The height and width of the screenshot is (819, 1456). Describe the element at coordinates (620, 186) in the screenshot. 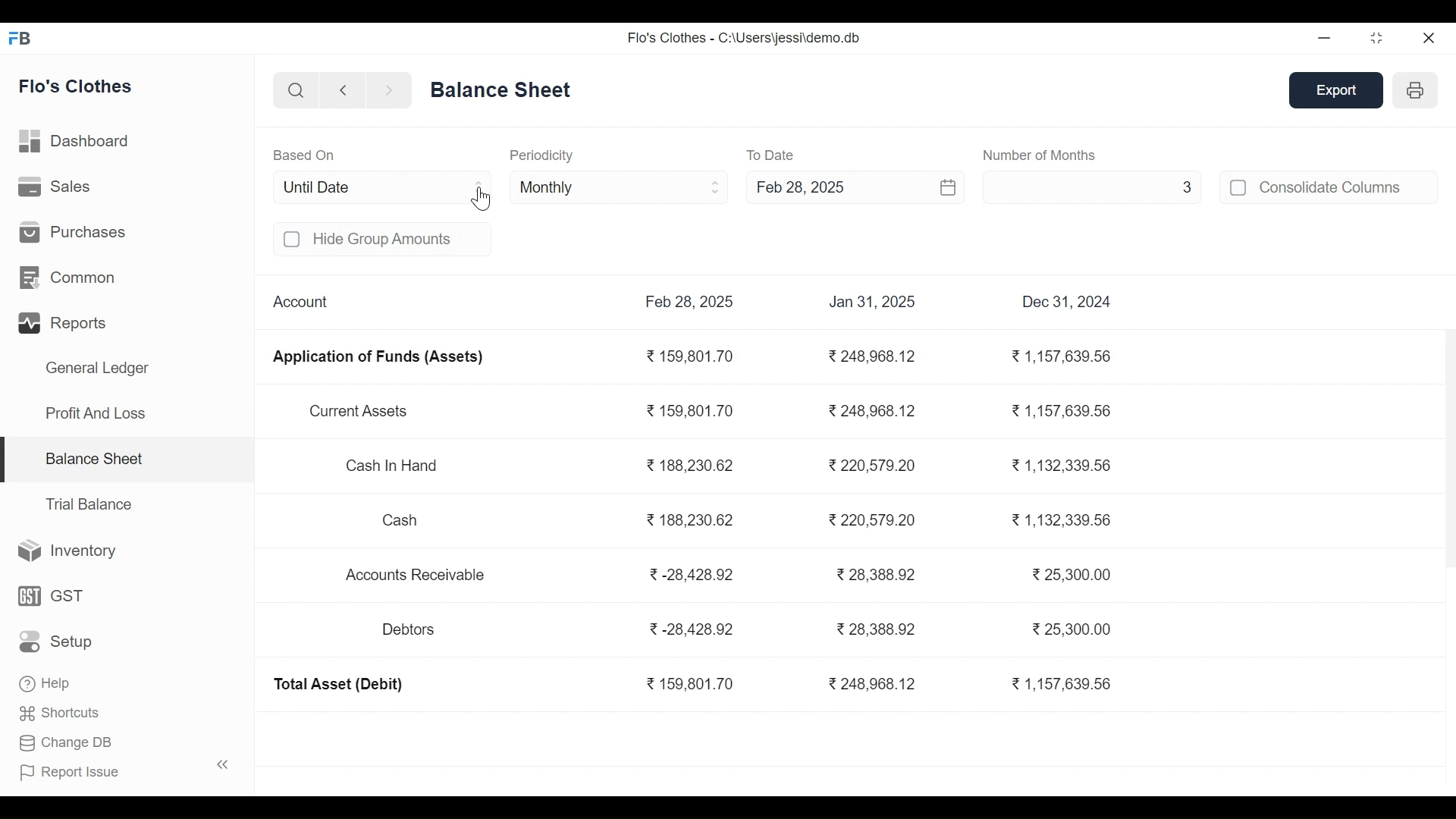

I see `Monthly` at that location.